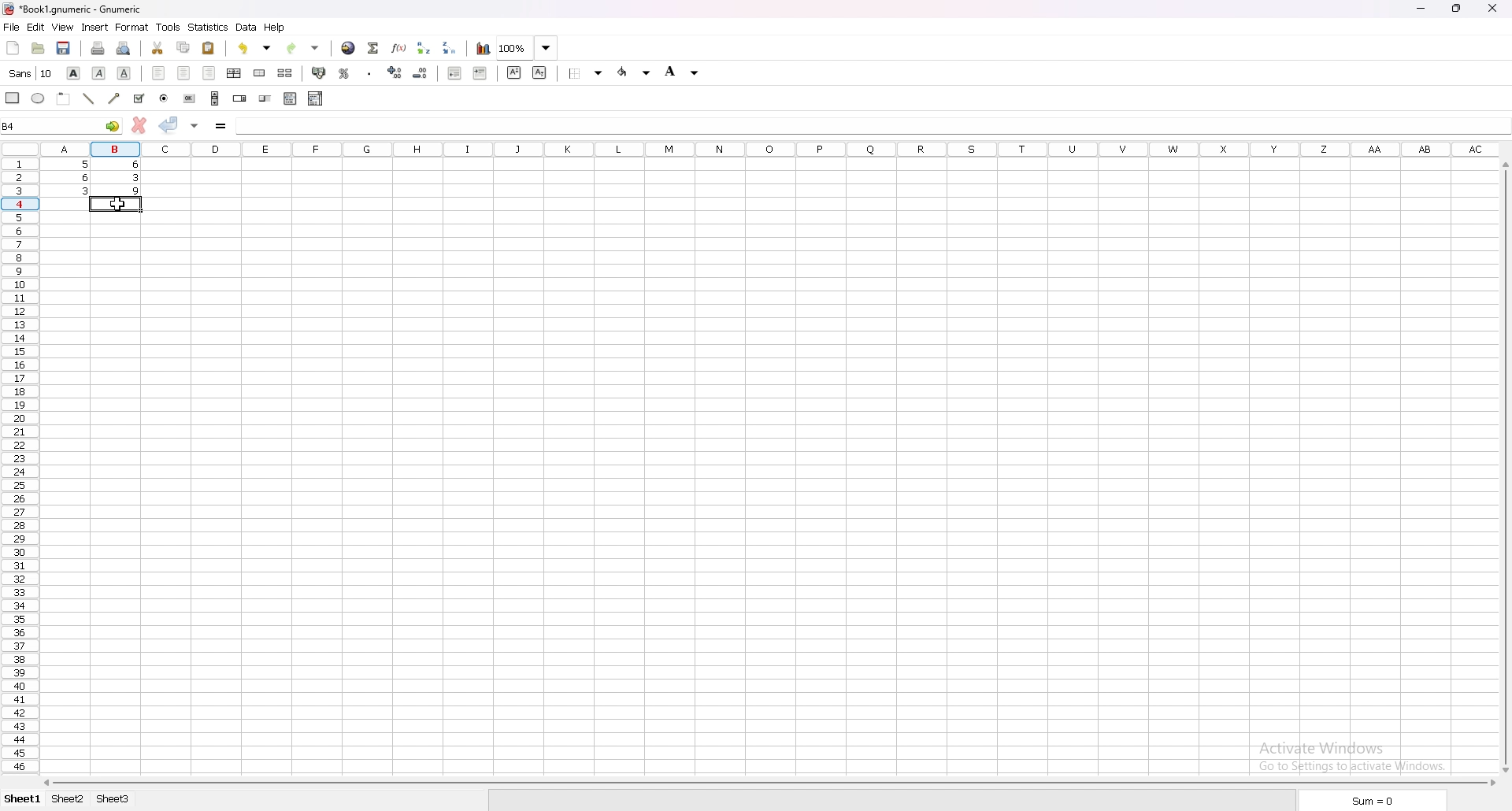 The height and width of the screenshot is (811, 1512). Describe the element at coordinates (97, 49) in the screenshot. I see `print` at that location.